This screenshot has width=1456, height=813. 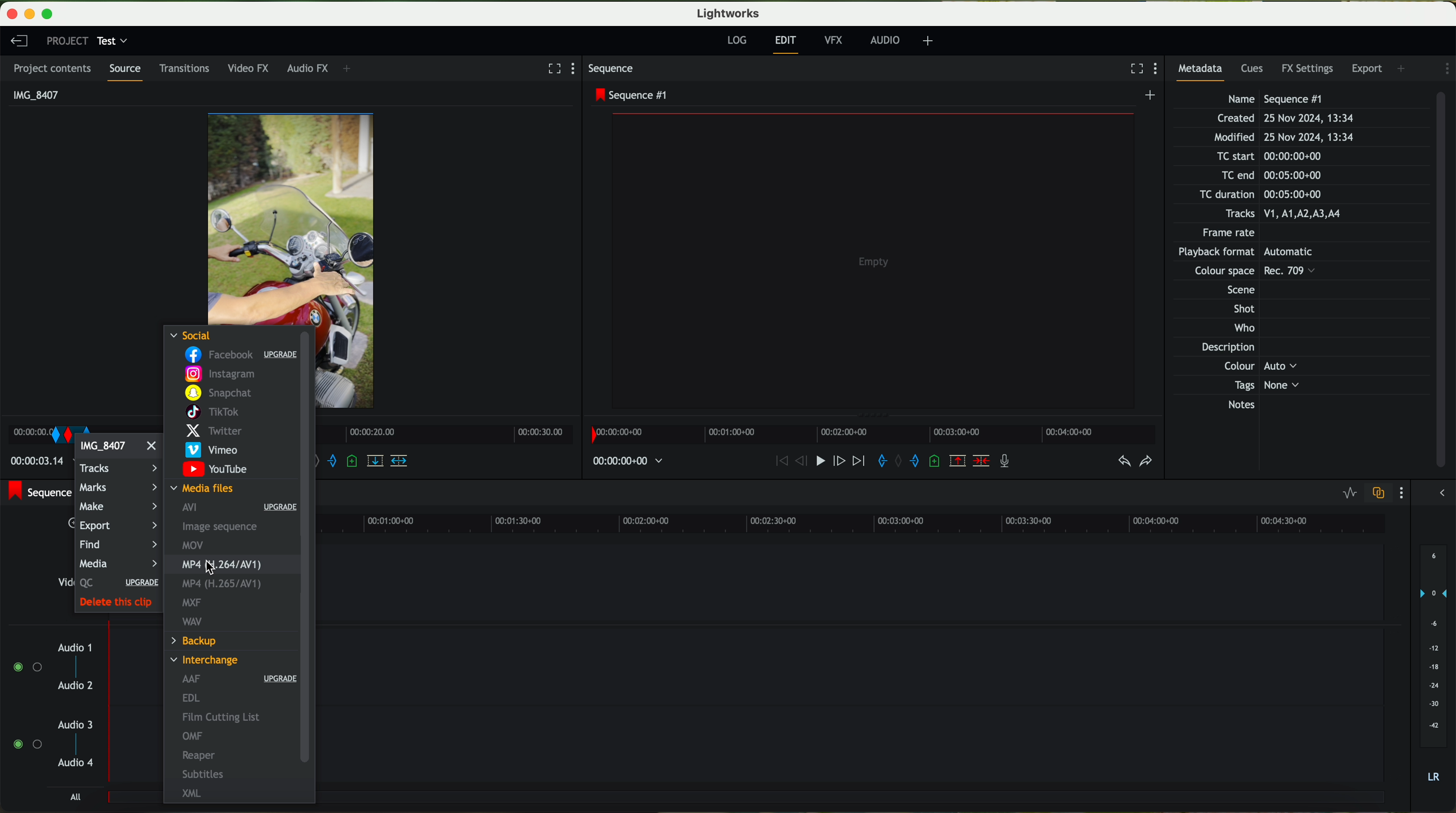 I want to click on metadata, so click(x=1204, y=71).